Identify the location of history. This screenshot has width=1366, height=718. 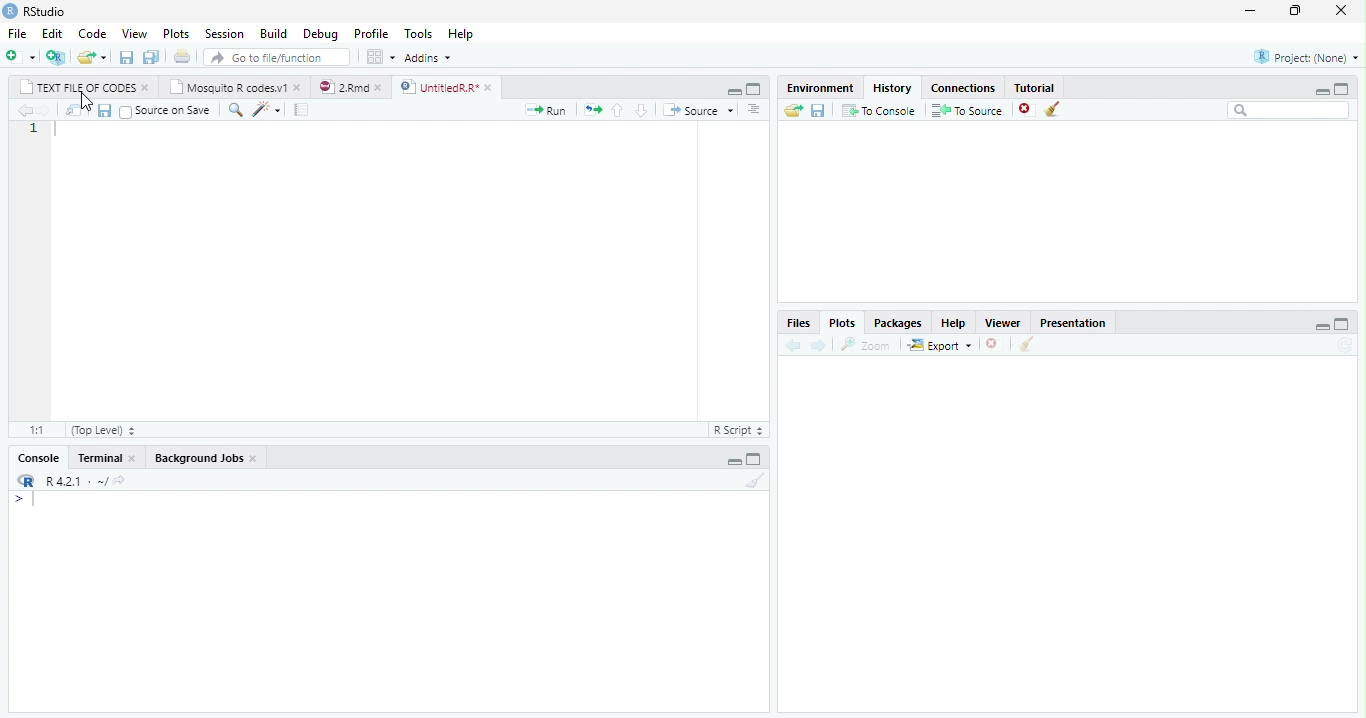
(891, 87).